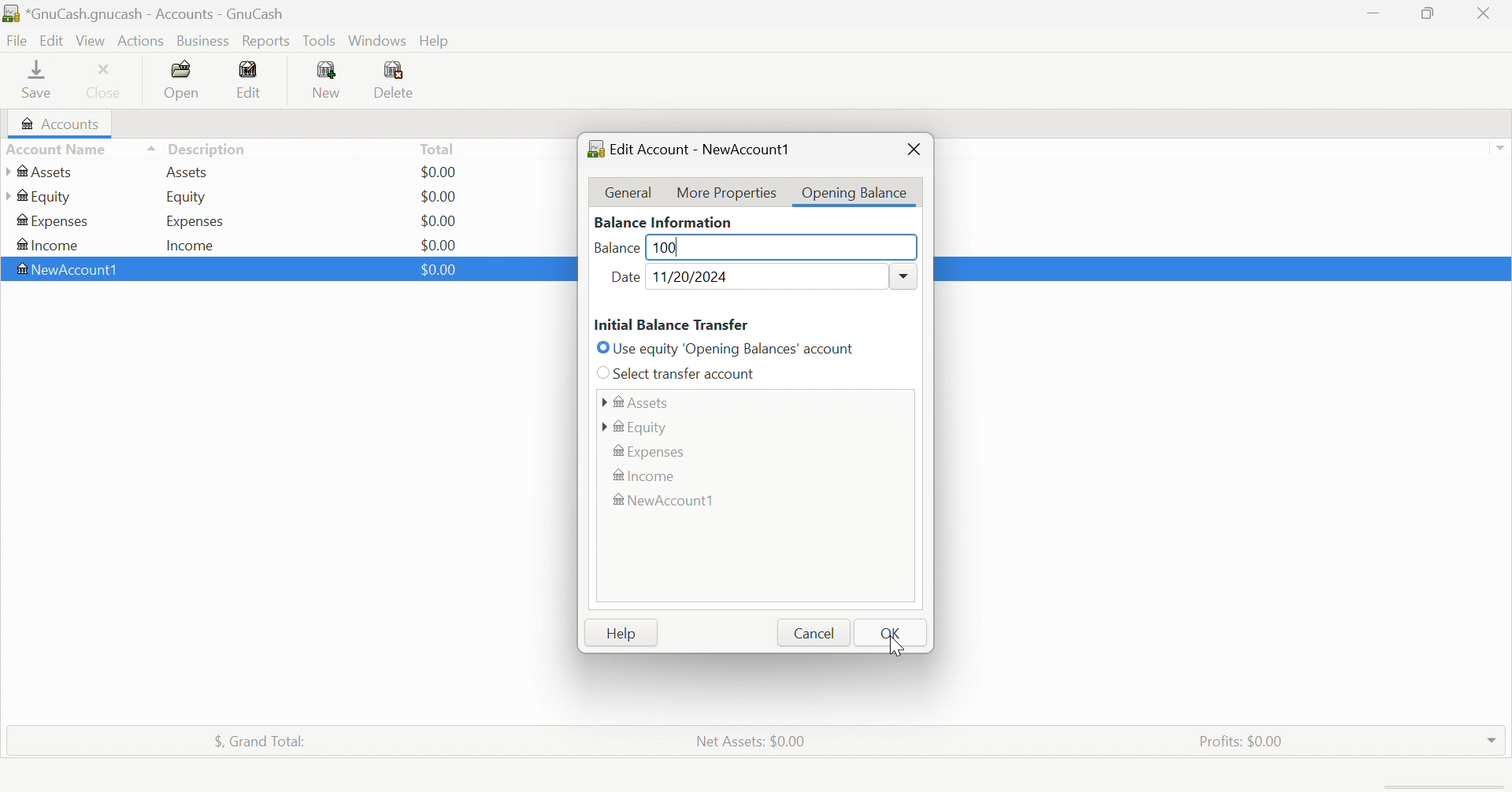 This screenshot has height=792, width=1512. Describe the element at coordinates (442, 195) in the screenshot. I see `$0.00` at that location.